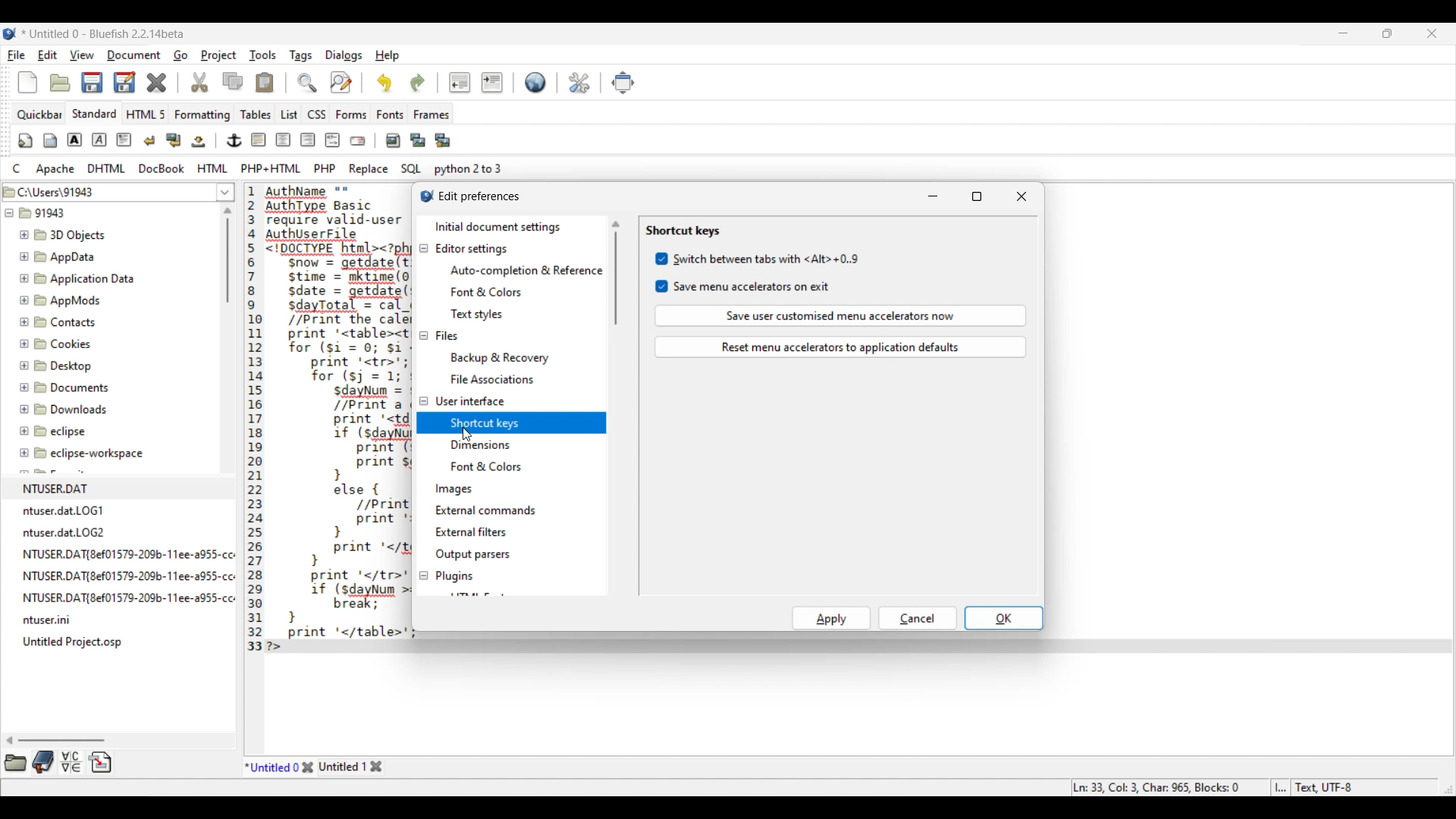 The image size is (1456, 819). What do you see at coordinates (840, 347) in the screenshot?
I see `Reset menu accelerators to application defaults` at bounding box center [840, 347].